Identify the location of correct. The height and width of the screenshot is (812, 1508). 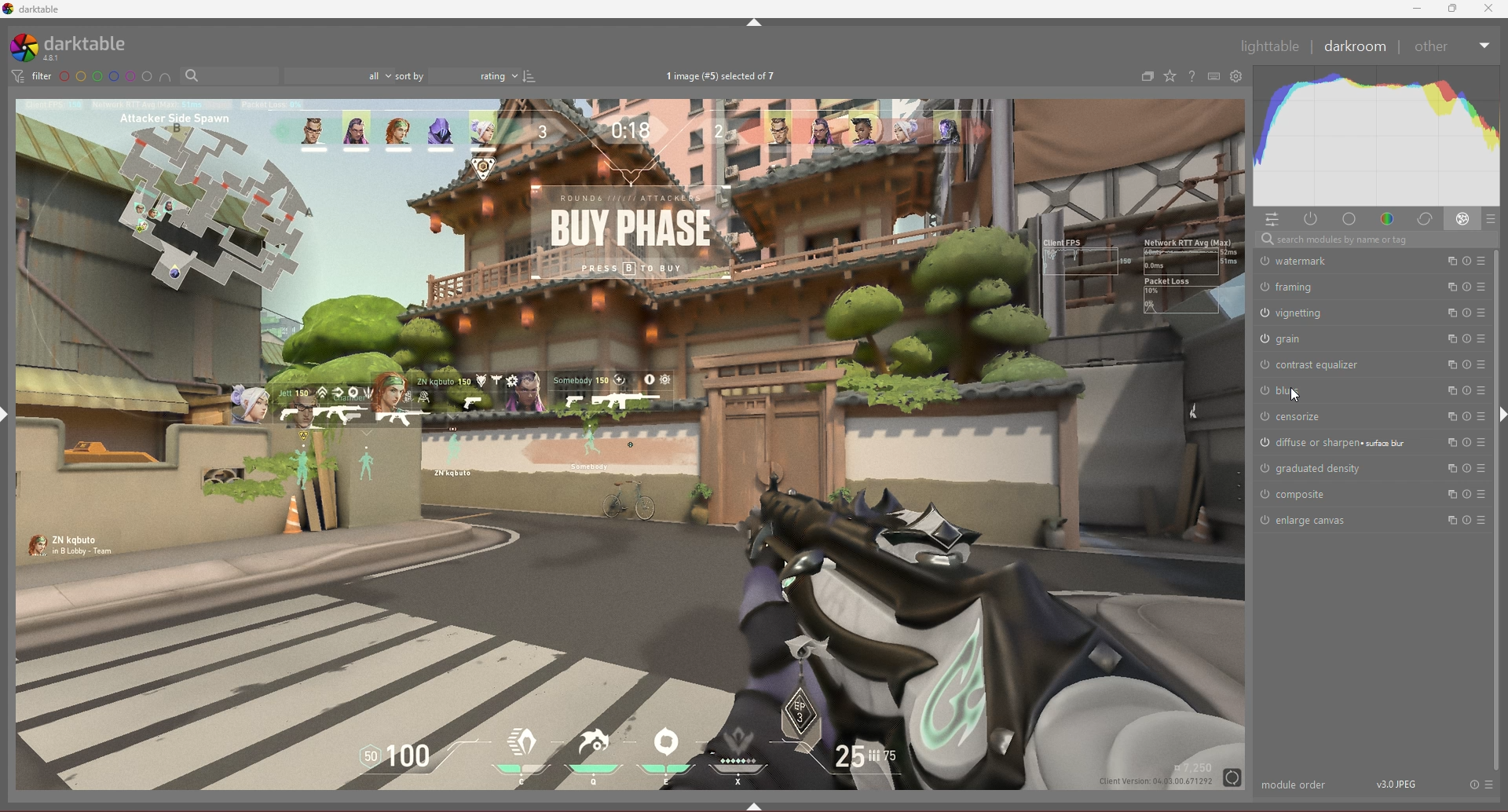
(1424, 219).